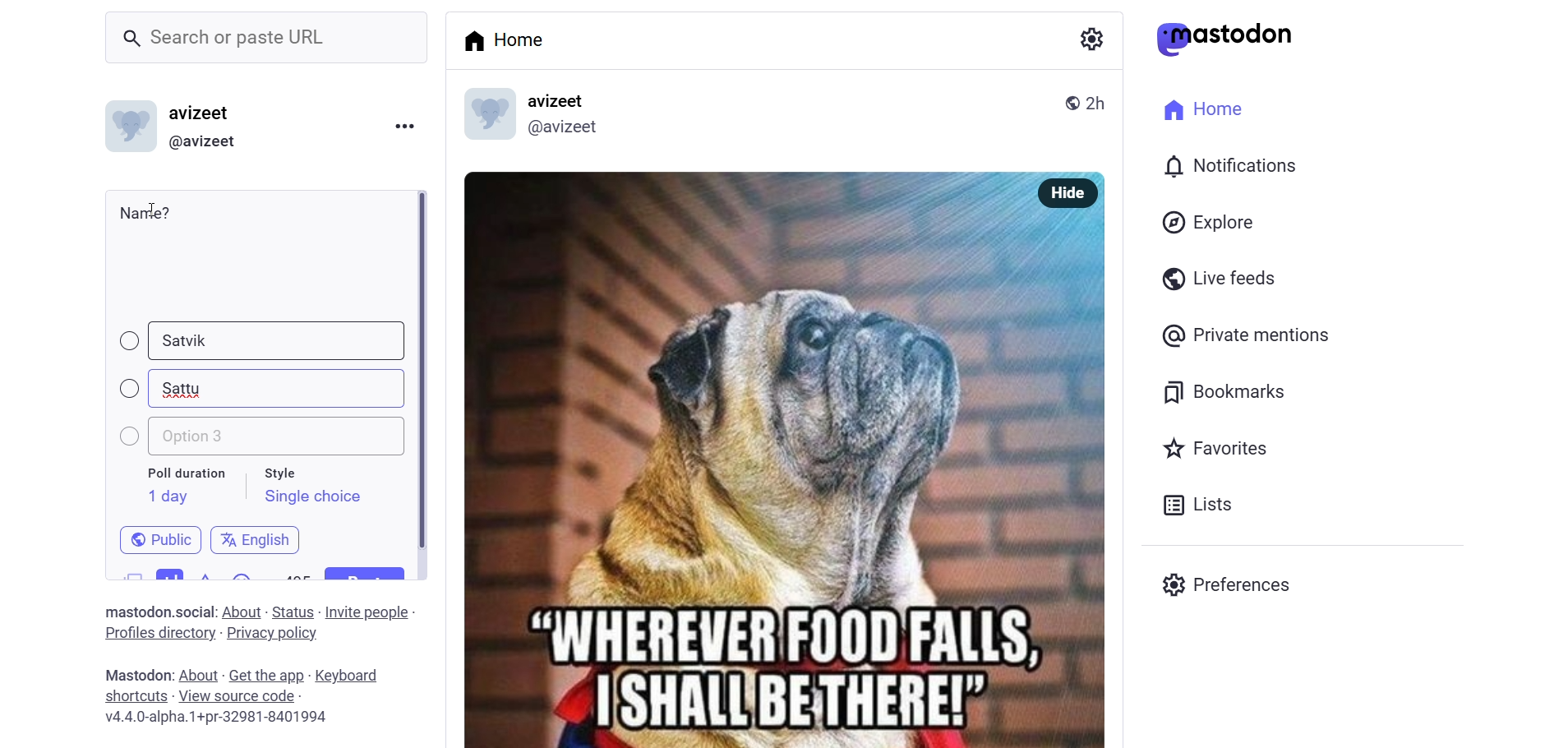 This screenshot has height=748, width=1568. Describe the element at coordinates (1225, 39) in the screenshot. I see `mastodon` at that location.